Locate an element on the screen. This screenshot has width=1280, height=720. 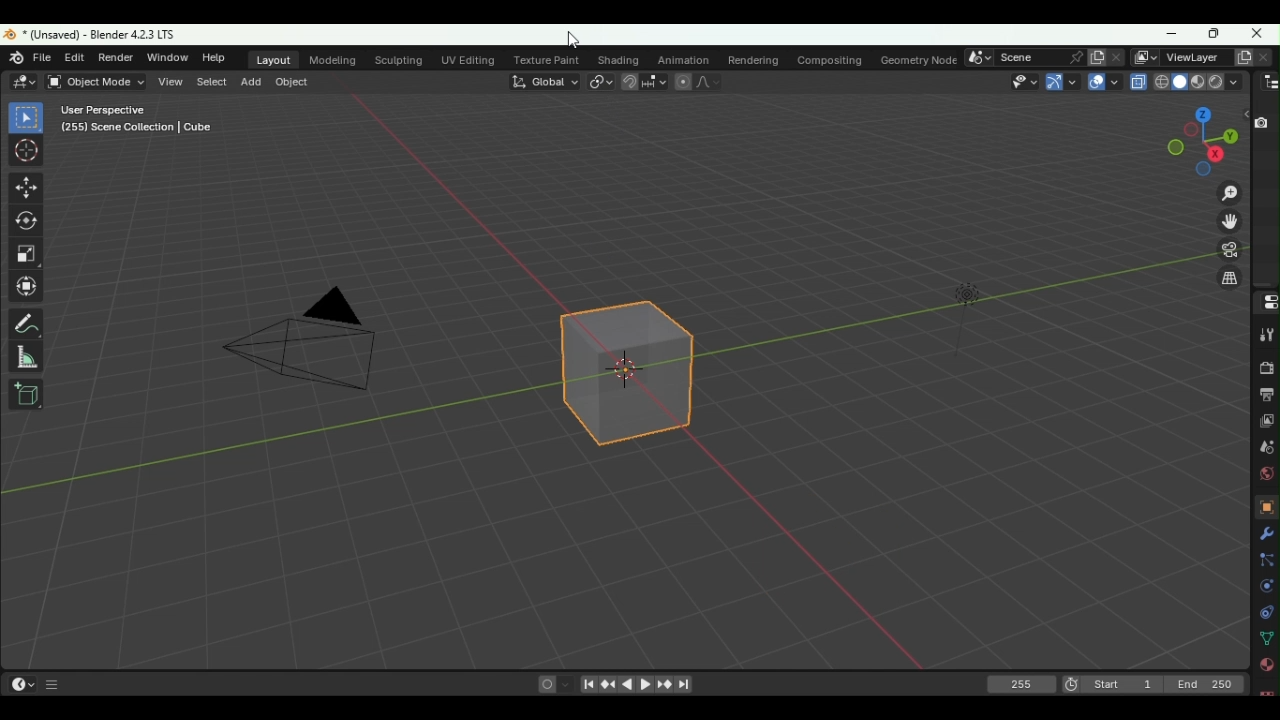
Move view is located at coordinates (1228, 222).